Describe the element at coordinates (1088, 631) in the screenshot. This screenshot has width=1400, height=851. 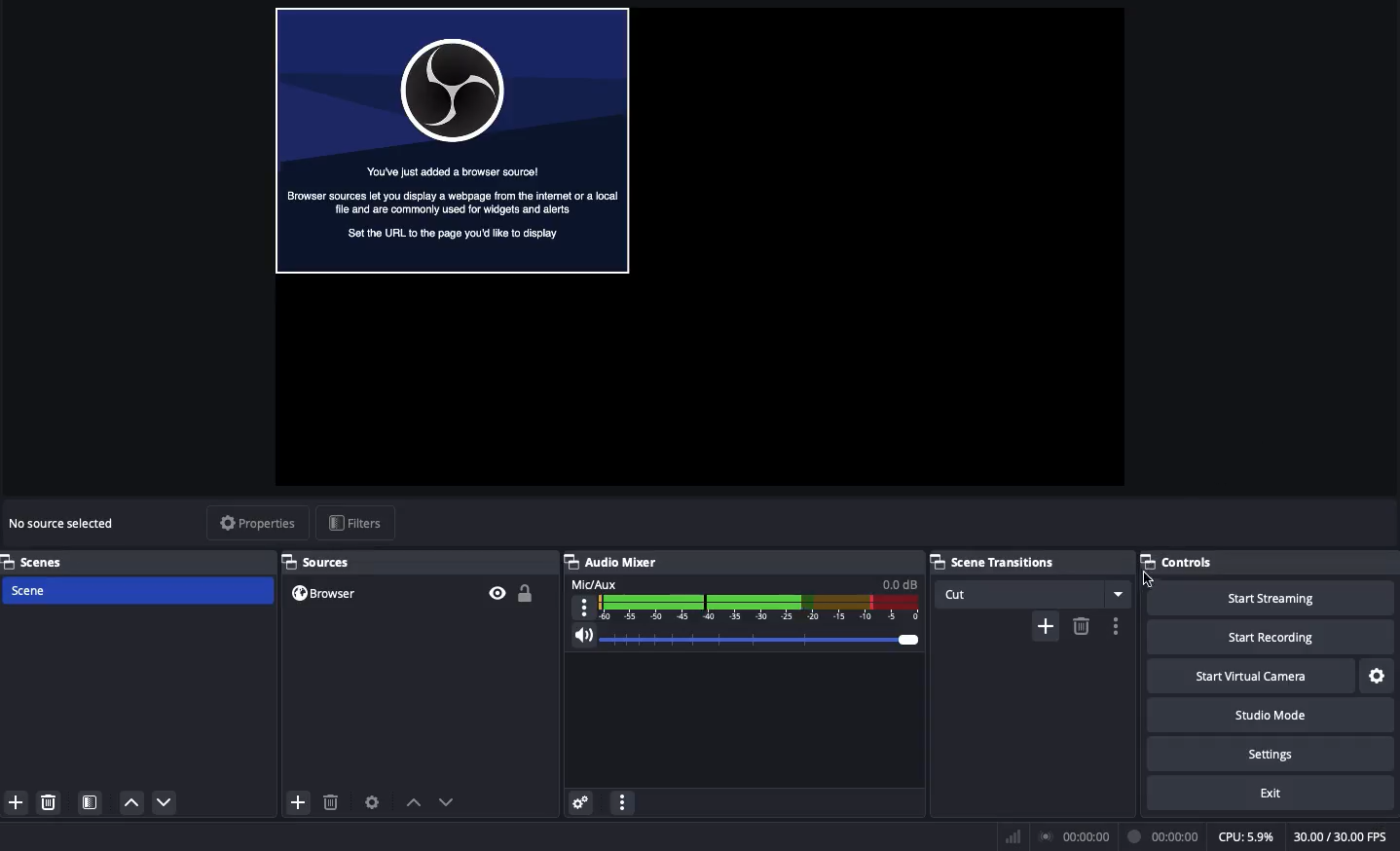
I see `delete` at that location.